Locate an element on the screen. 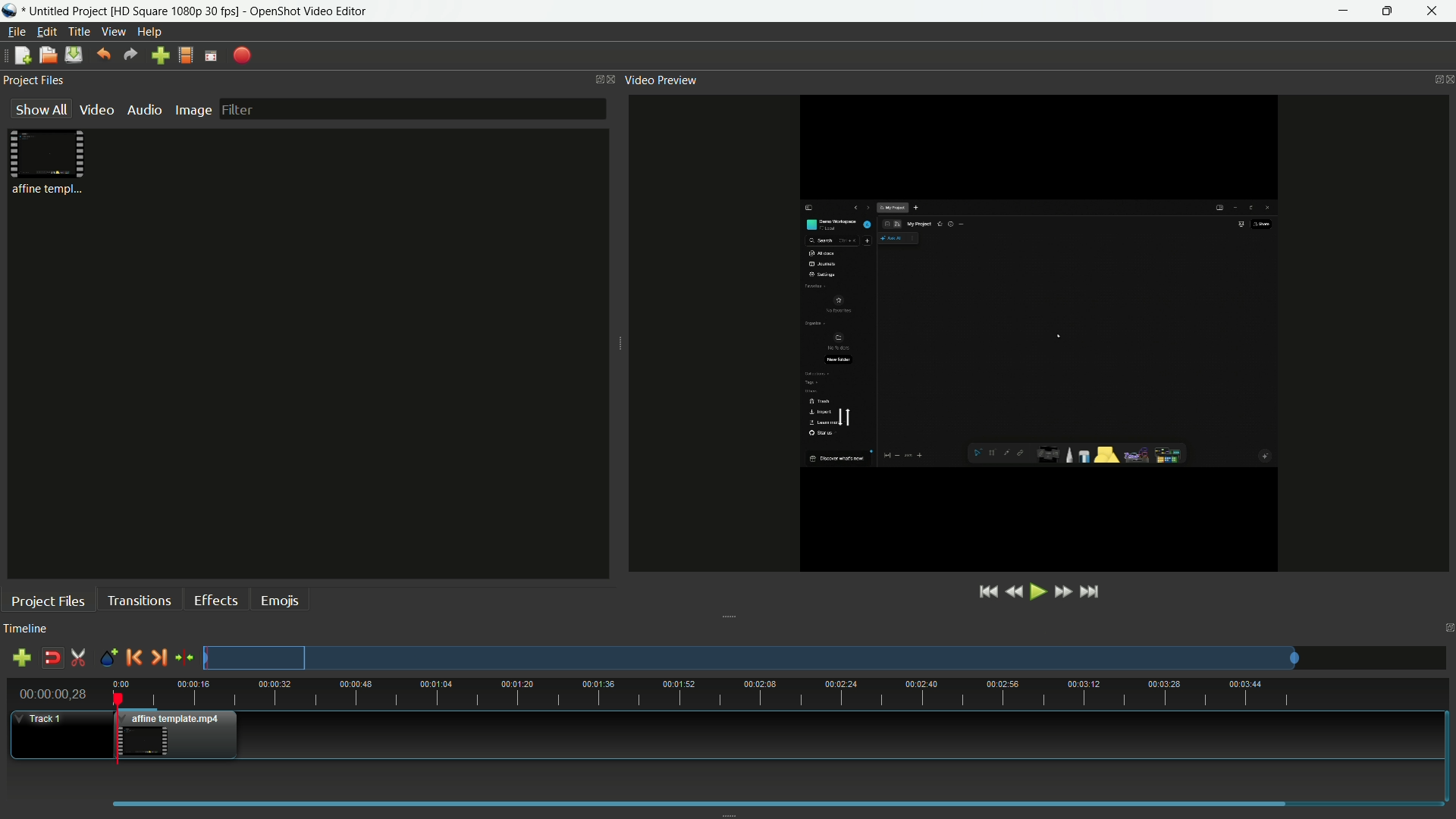 The height and width of the screenshot is (819, 1456). video preview is located at coordinates (662, 80).